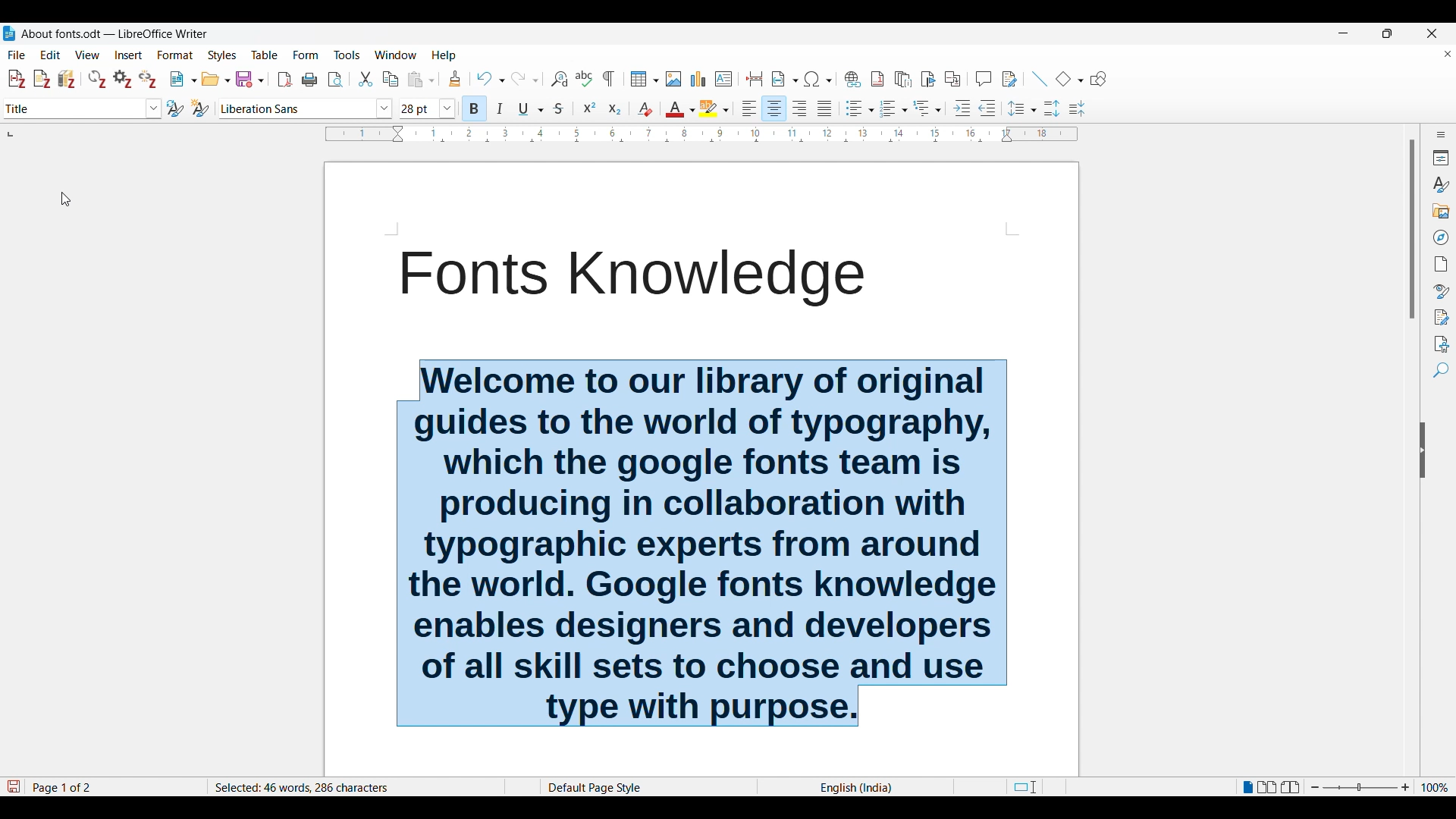  Describe the element at coordinates (148, 79) in the screenshot. I see `Unlink citations` at that location.